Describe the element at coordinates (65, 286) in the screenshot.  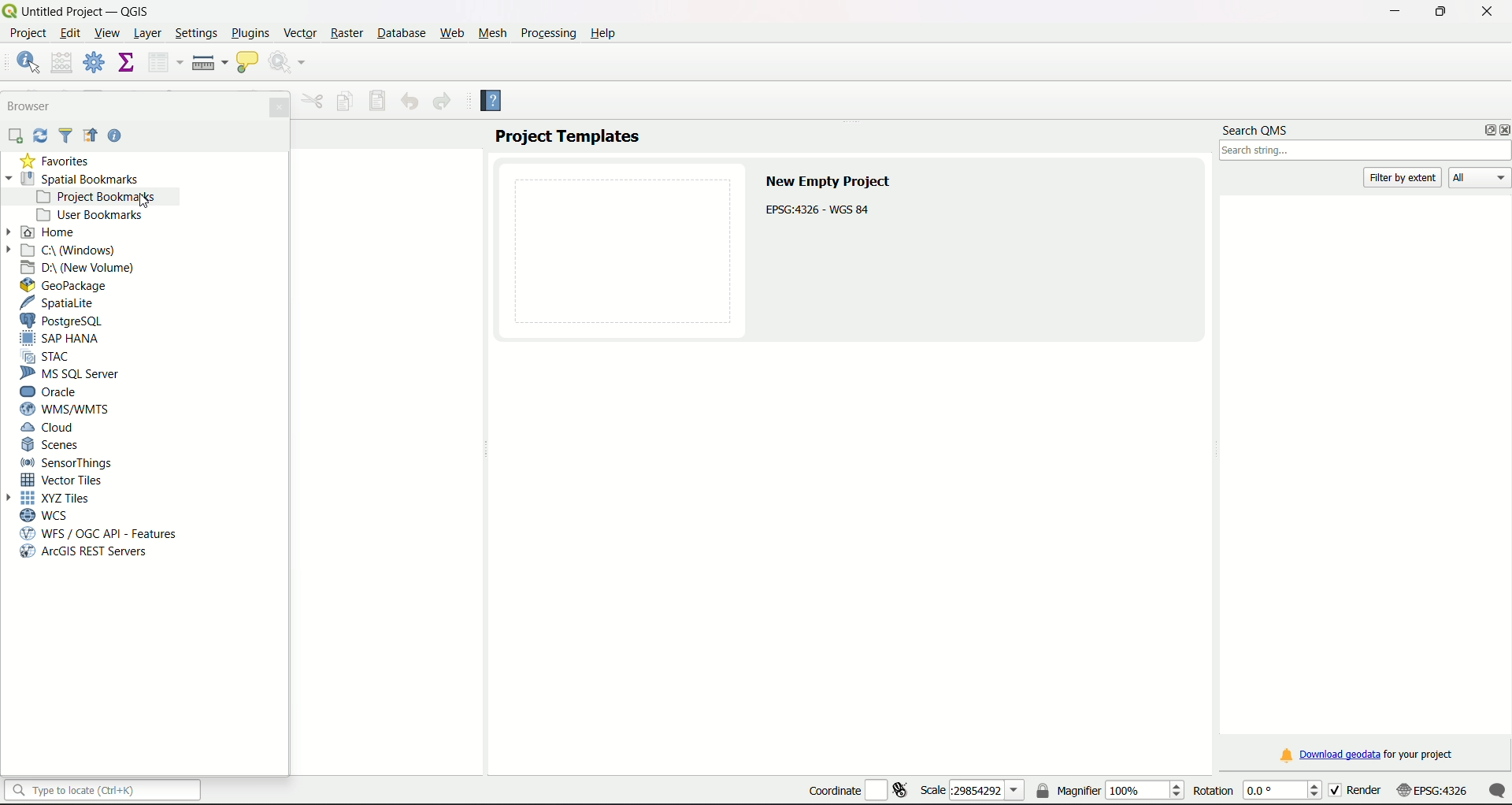
I see `GeoPackage` at that location.